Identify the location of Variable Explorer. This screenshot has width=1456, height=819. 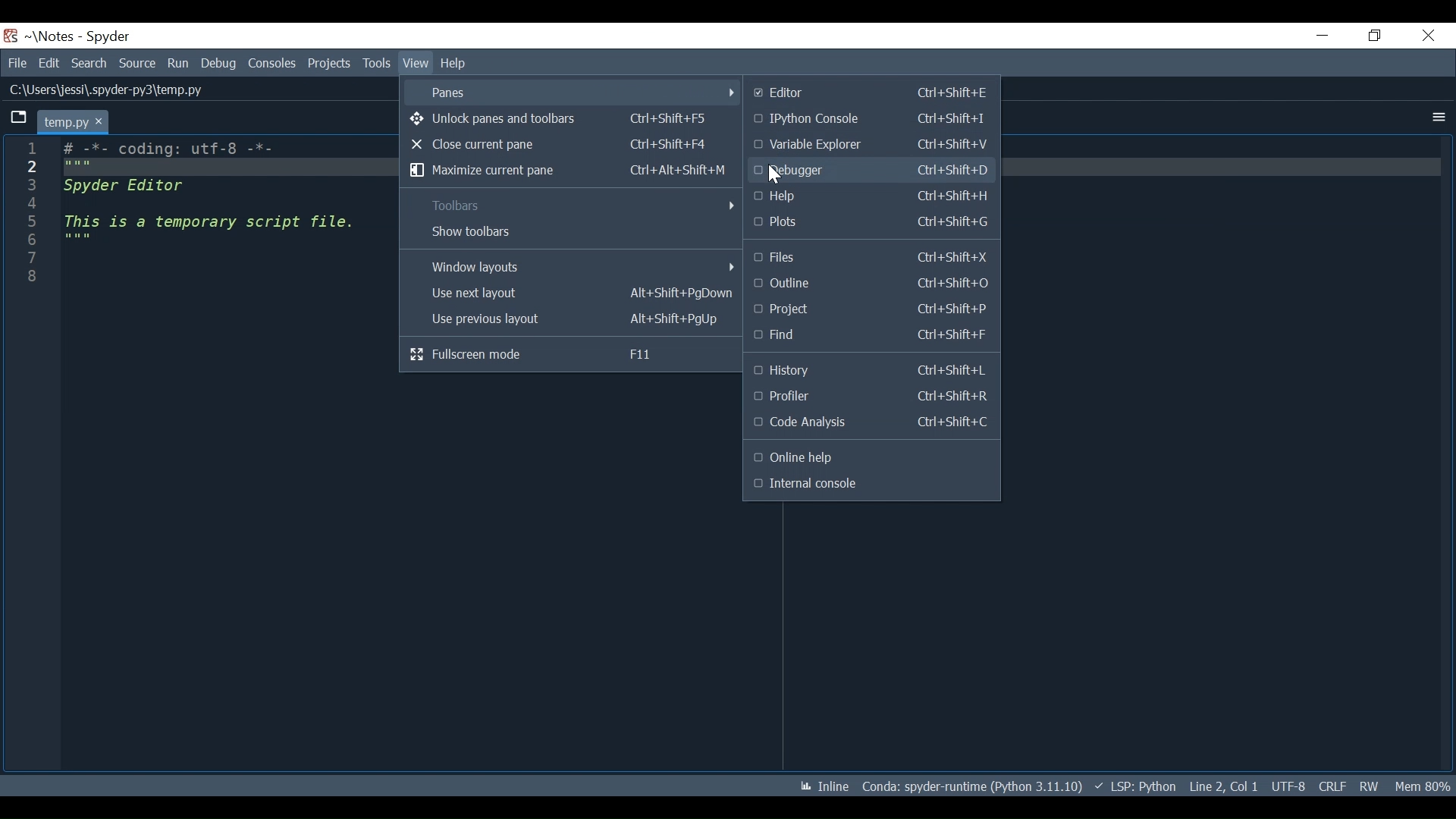
(870, 144).